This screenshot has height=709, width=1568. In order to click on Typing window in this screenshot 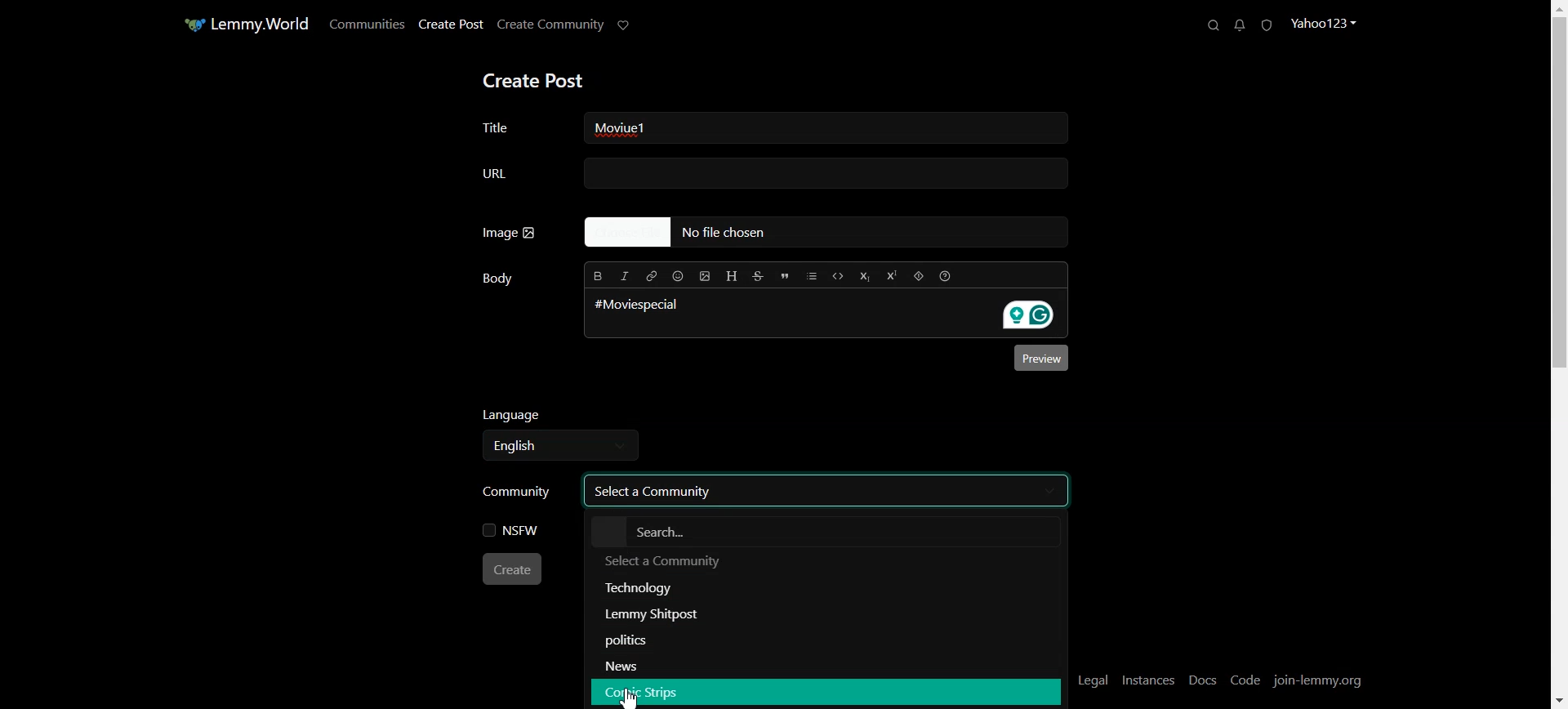, I will do `click(783, 381)`.